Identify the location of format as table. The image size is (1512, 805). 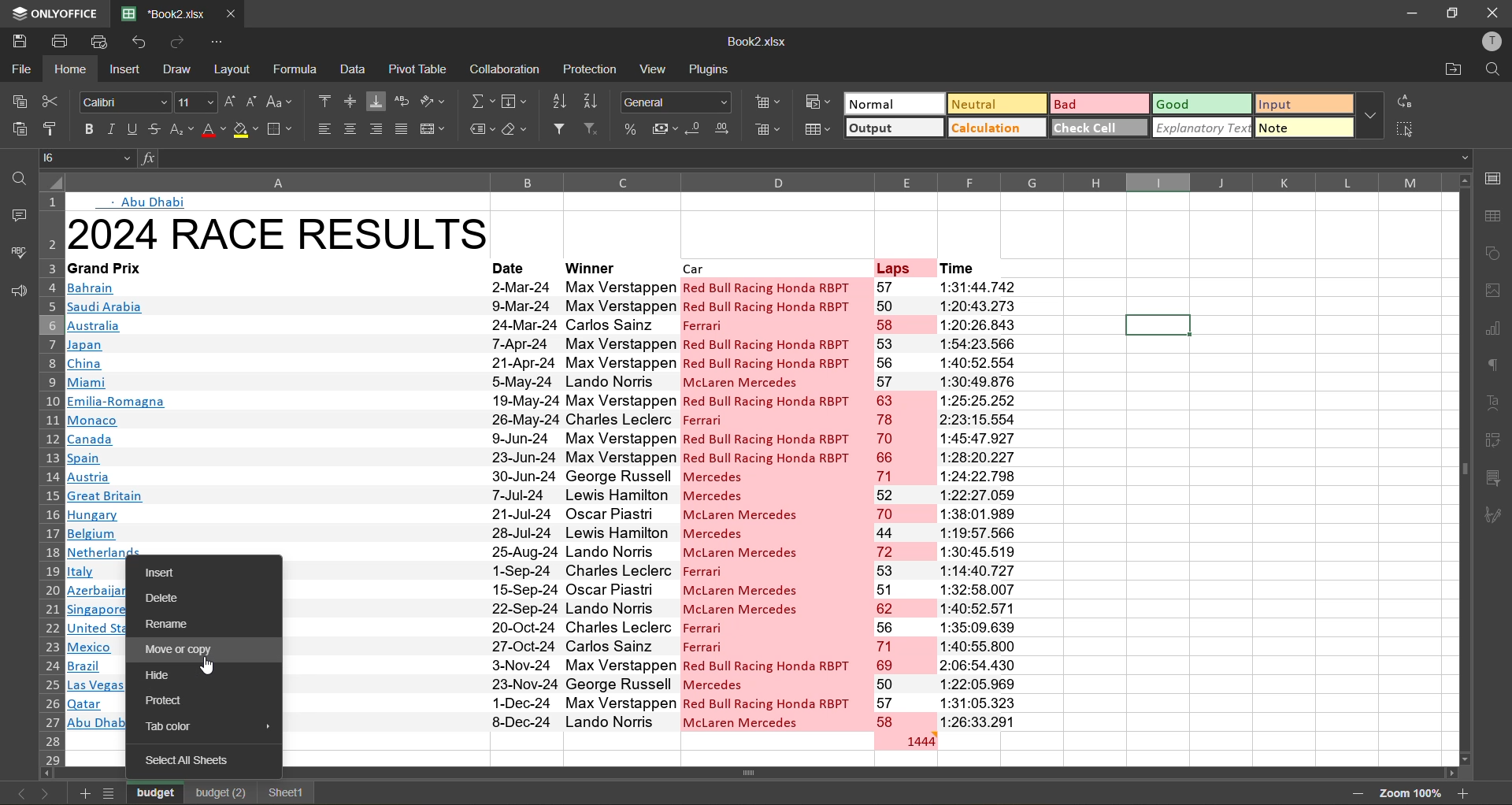
(819, 129).